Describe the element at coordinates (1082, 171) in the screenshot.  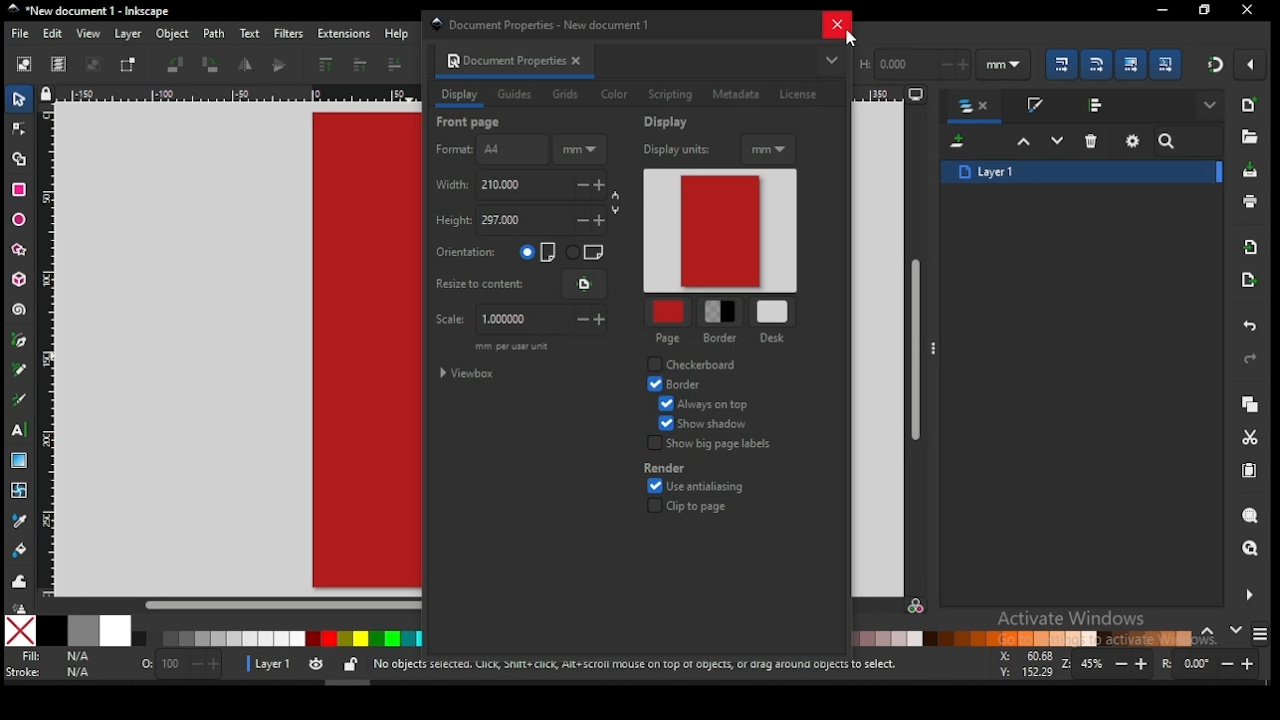
I see `layer 1` at that location.